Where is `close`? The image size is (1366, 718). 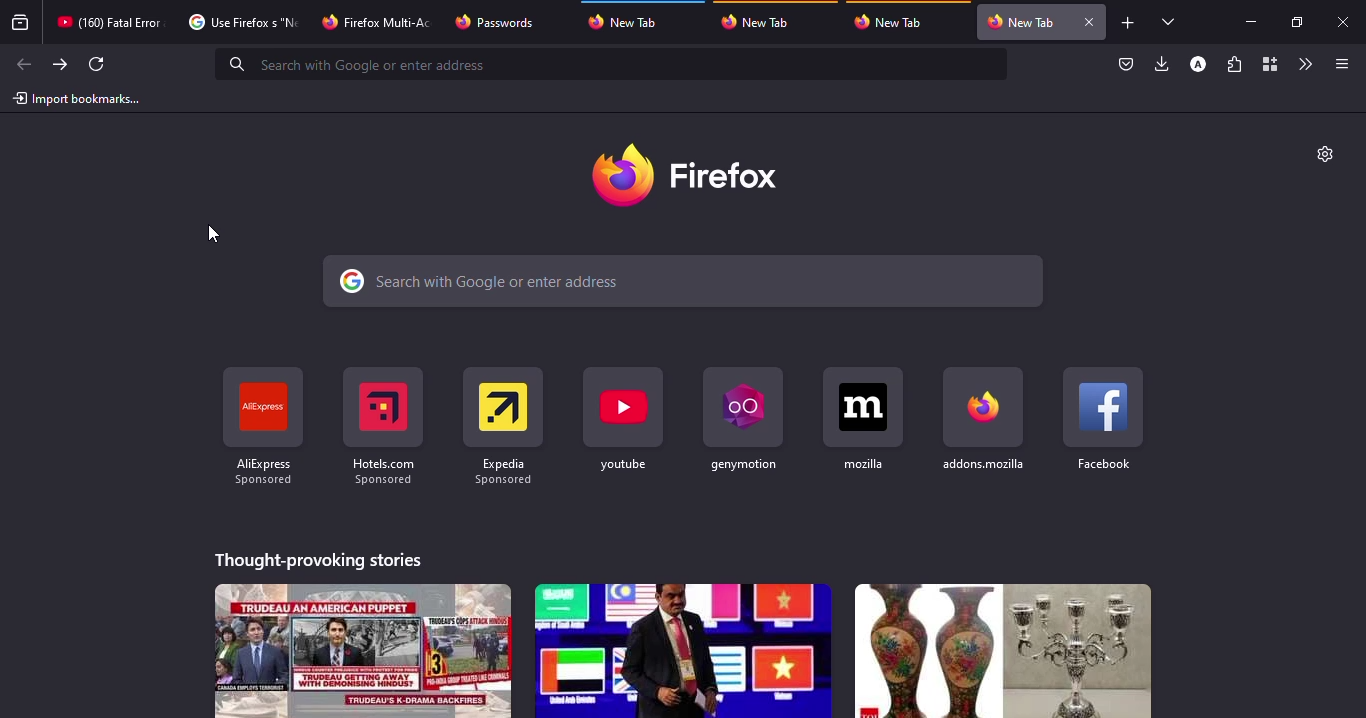
close is located at coordinates (1090, 21).